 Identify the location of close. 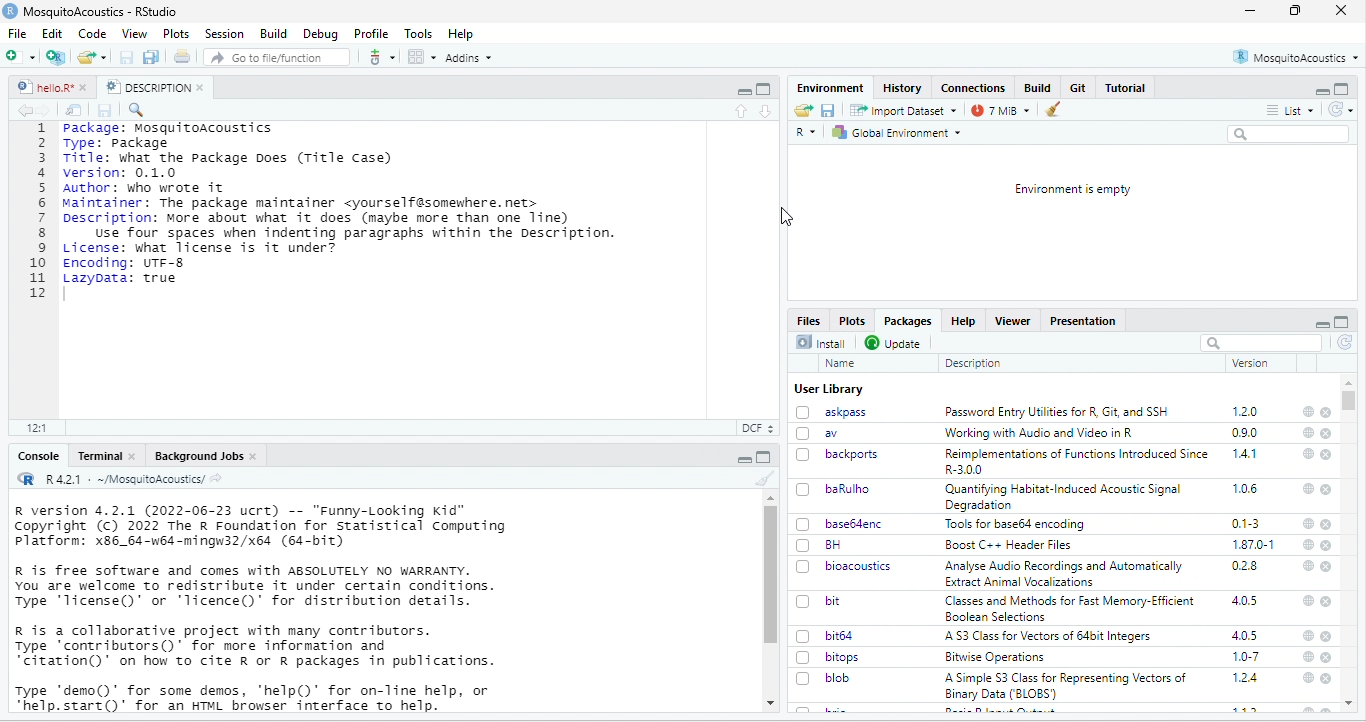
(1328, 637).